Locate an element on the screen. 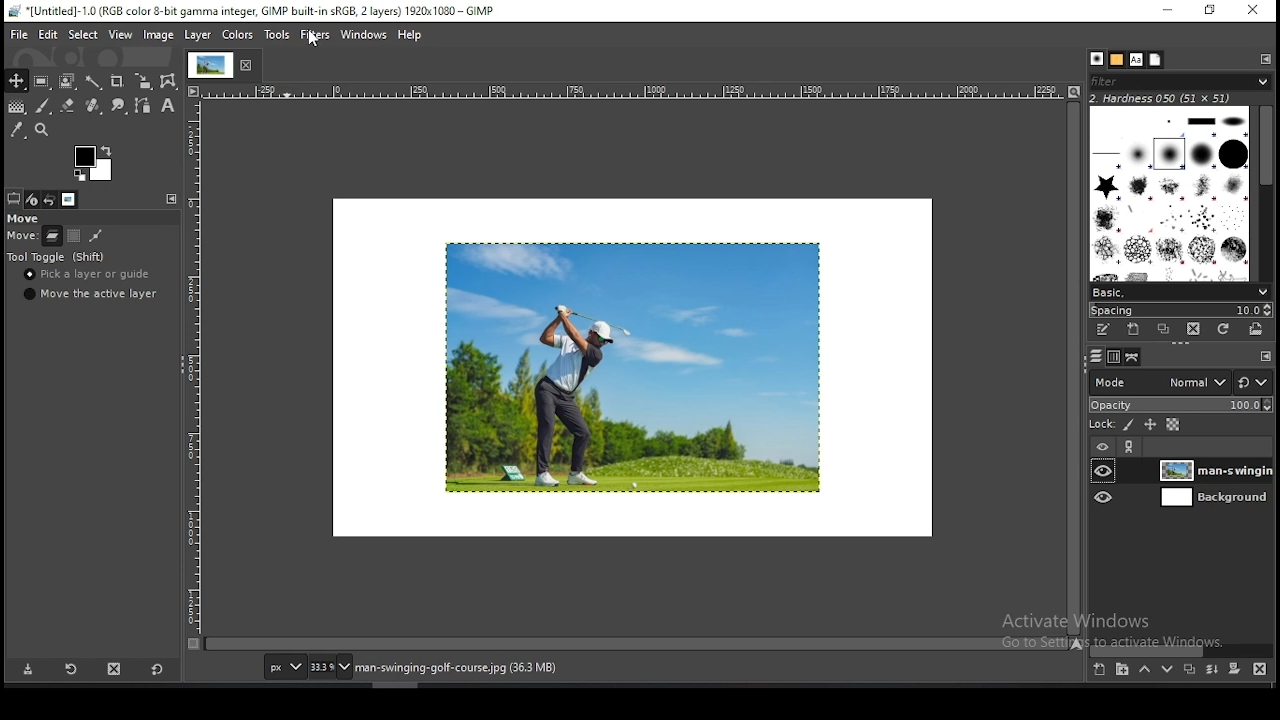  help is located at coordinates (409, 36).